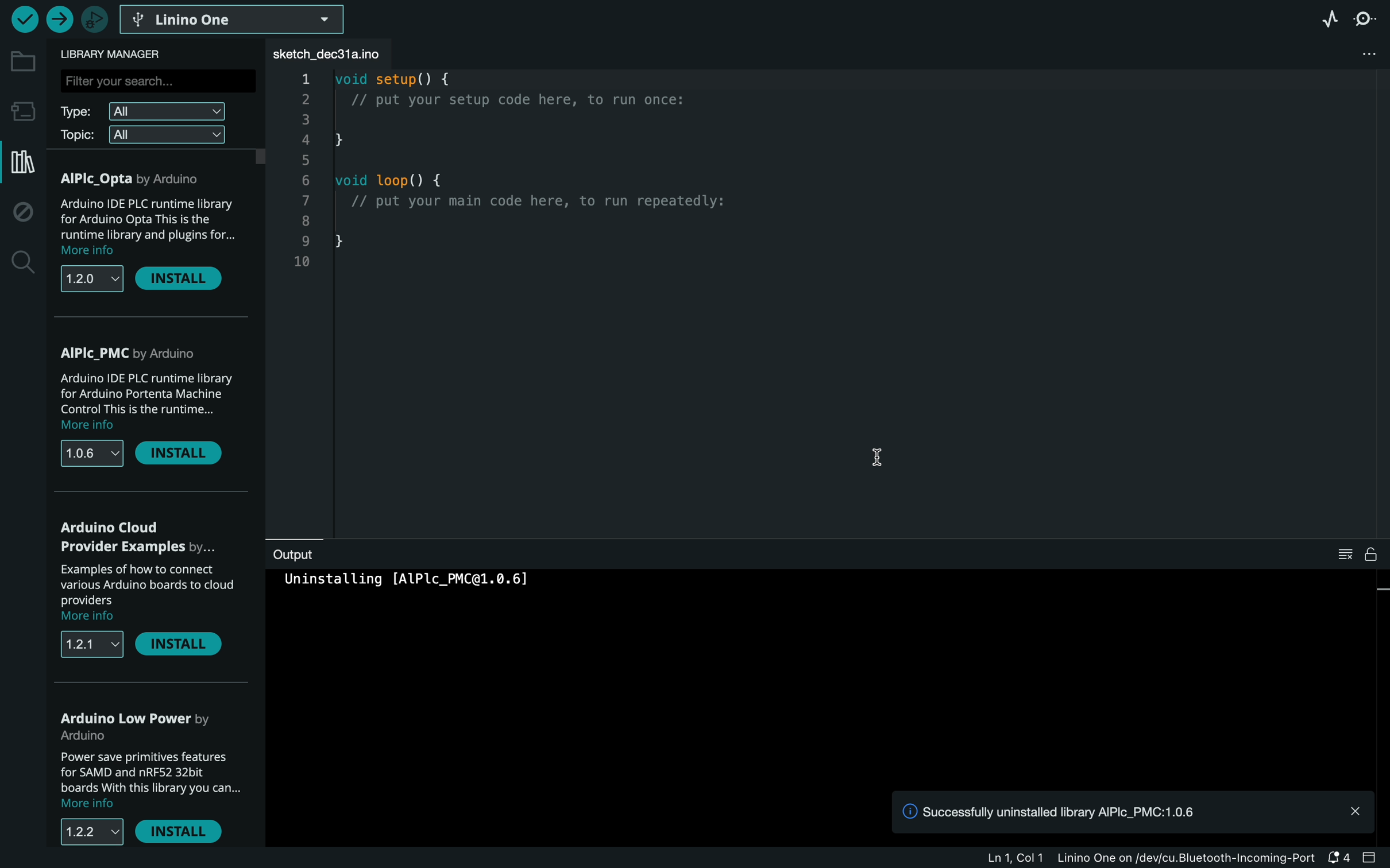  Describe the element at coordinates (141, 728) in the screenshot. I see `low power` at that location.